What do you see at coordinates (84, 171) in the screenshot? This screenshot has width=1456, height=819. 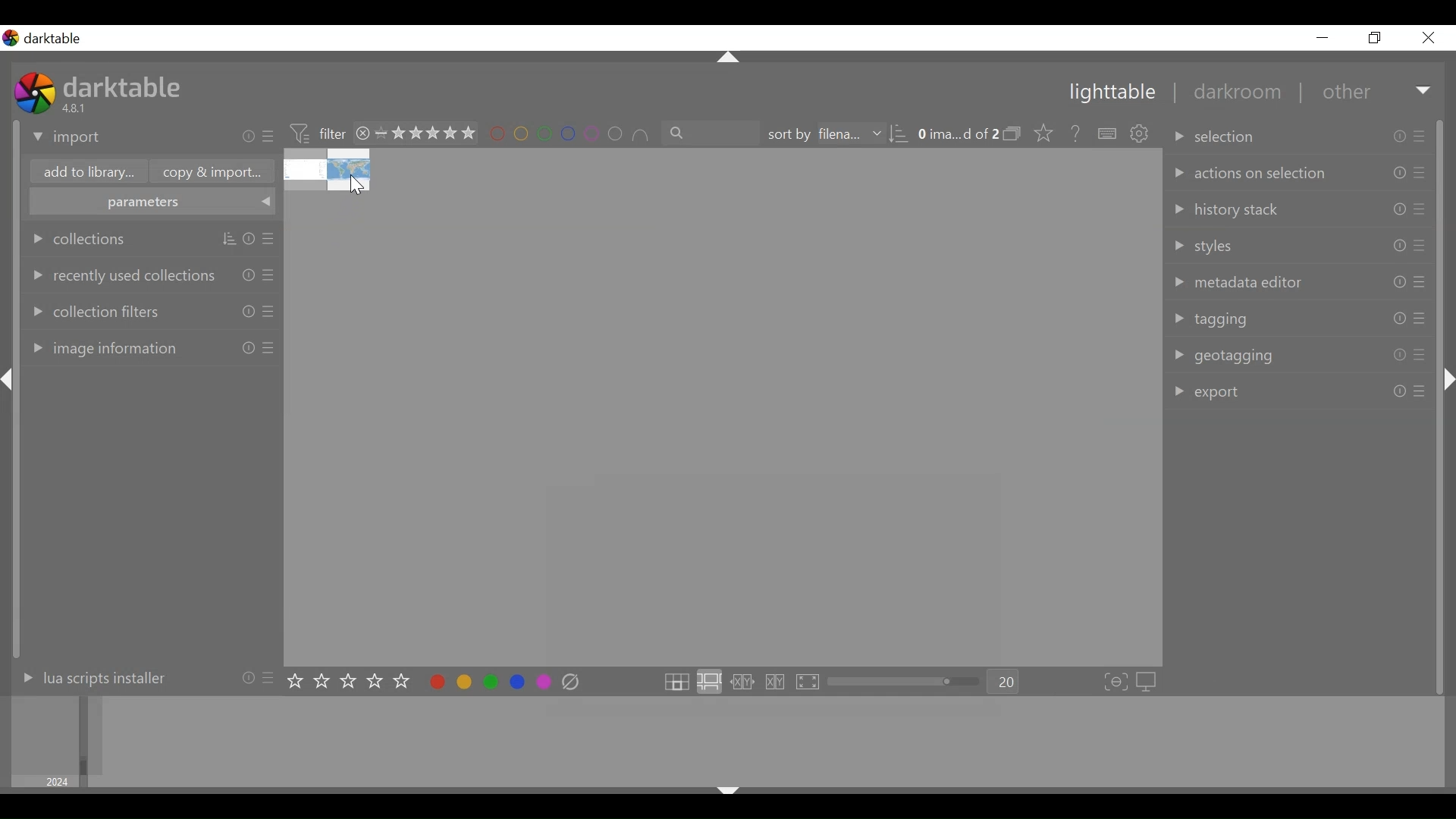 I see `add to library` at bounding box center [84, 171].